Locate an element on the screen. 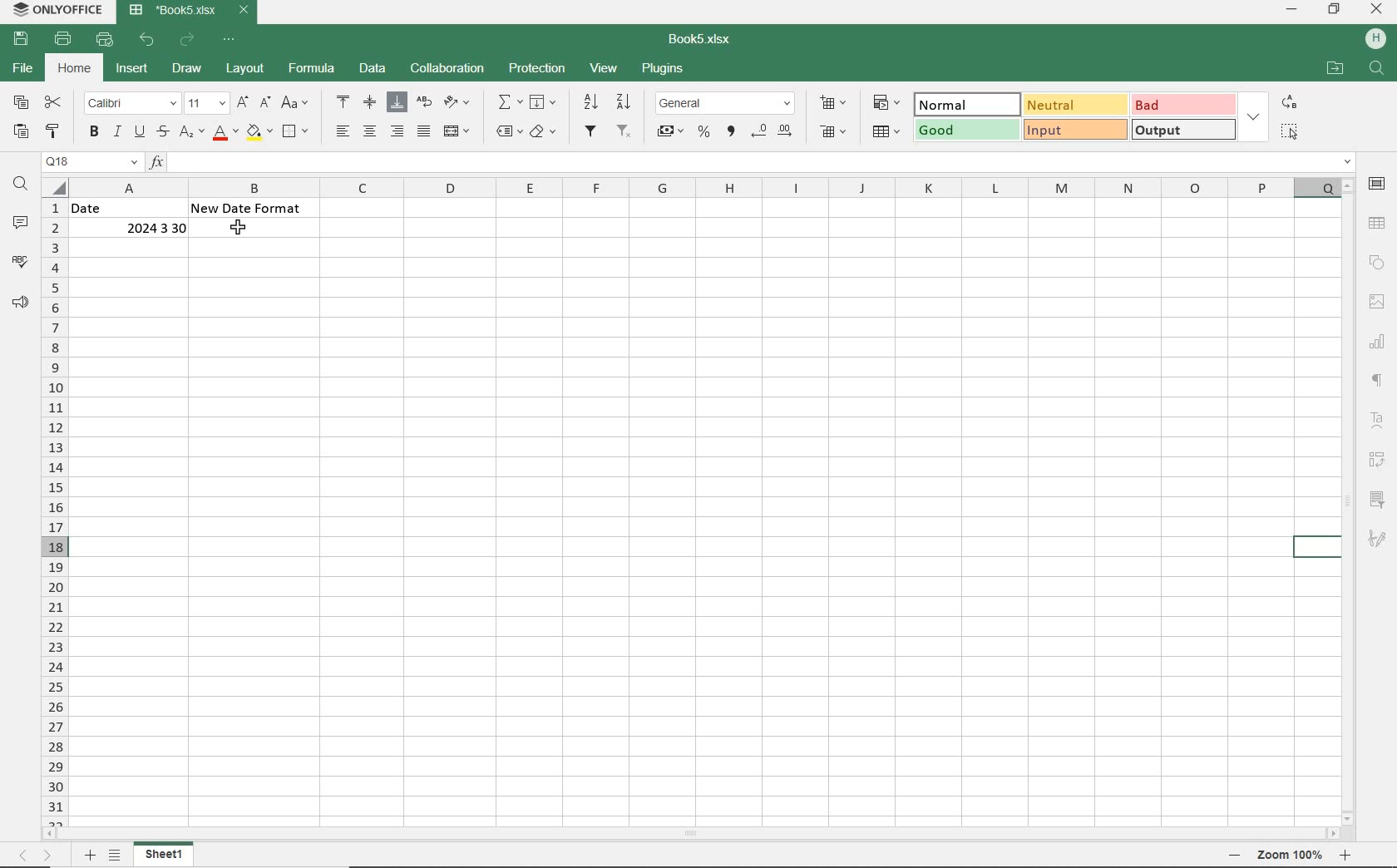 This screenshot has height=868, width=1397. INSERT is located at coordinates (134, 70).